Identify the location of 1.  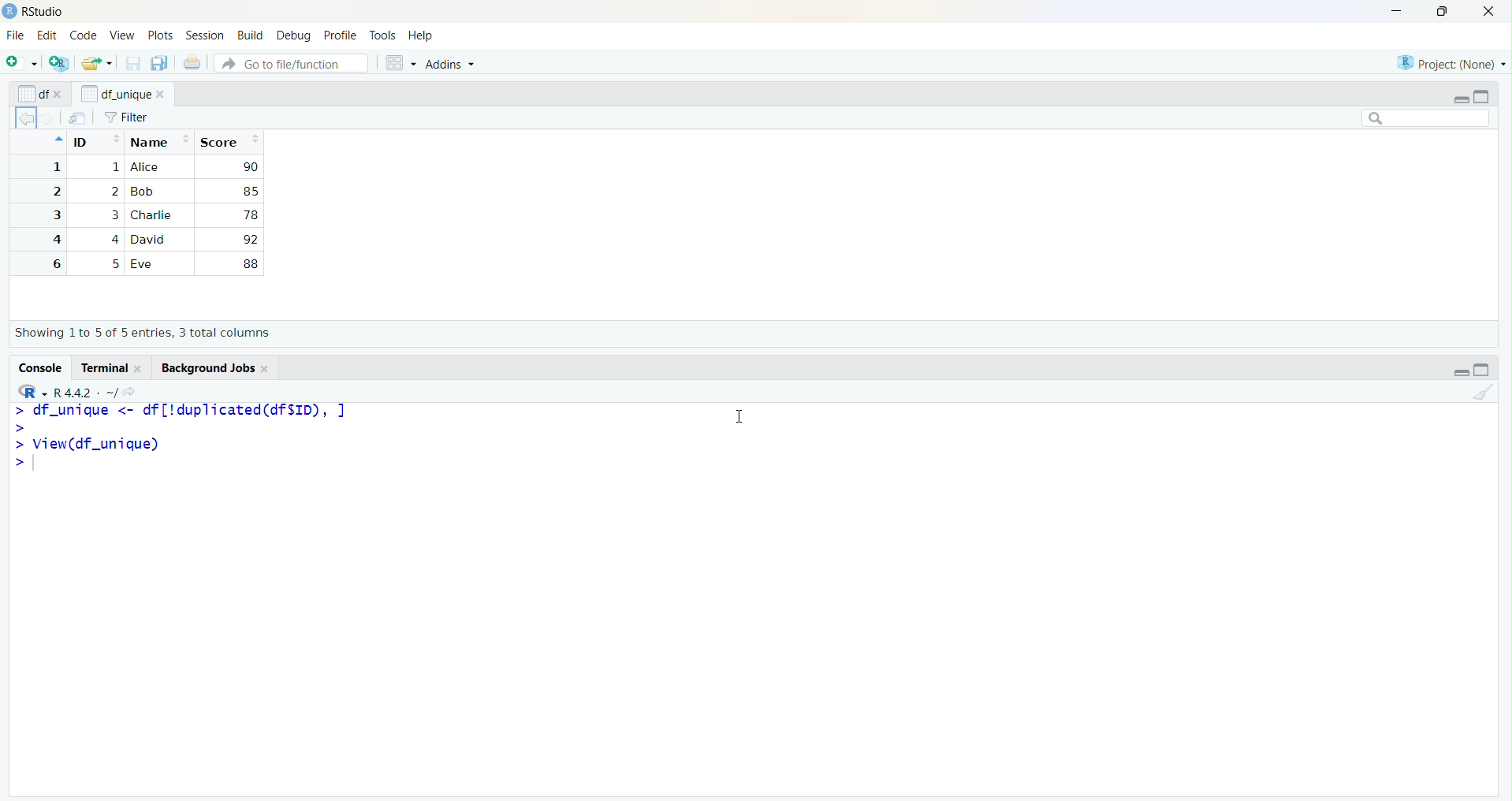
(54, 167).